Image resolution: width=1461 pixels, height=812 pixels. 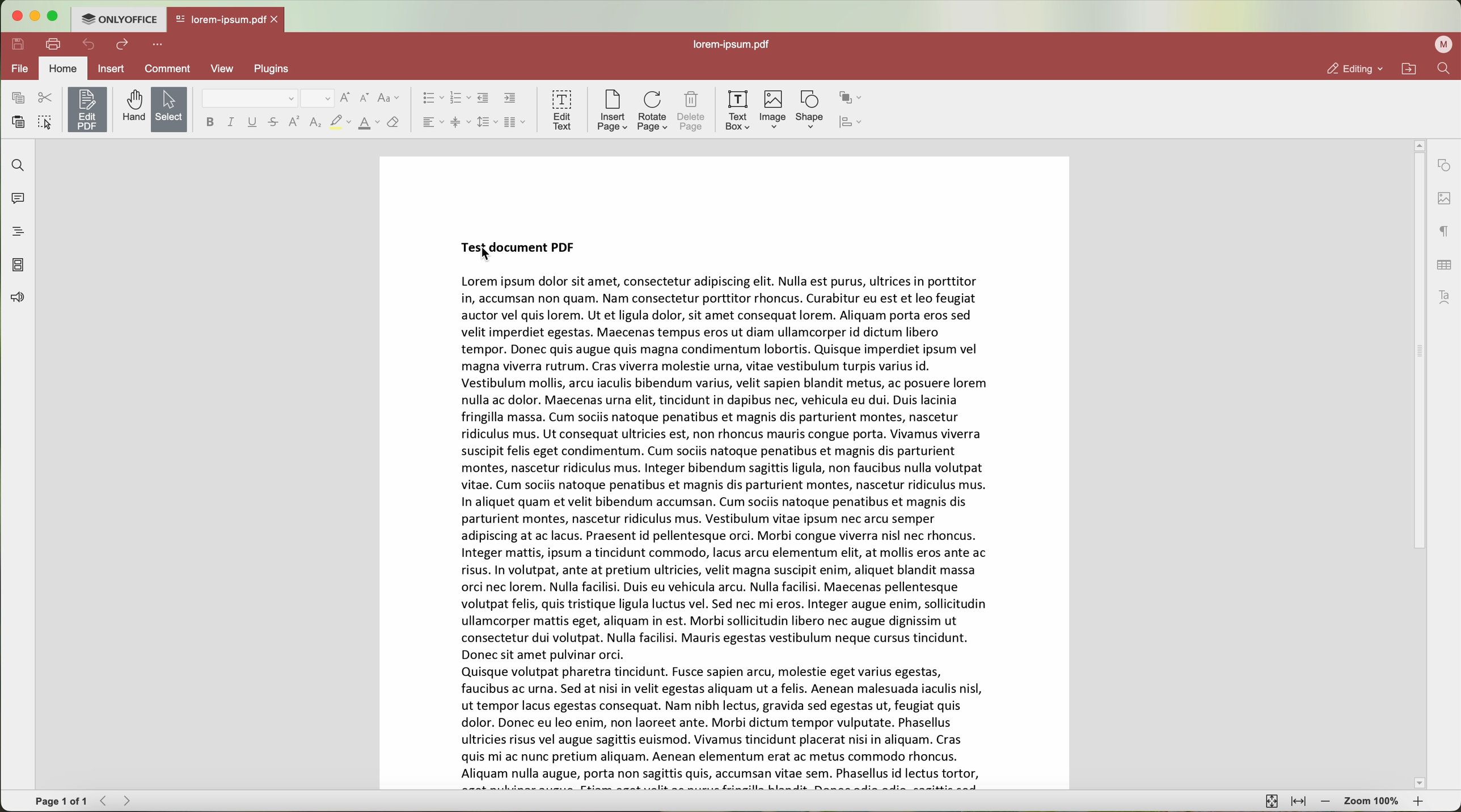 What do you see at coordinates (1443, 44) in the screenshot?
I see `profile` at bounding box center [1443, 44].